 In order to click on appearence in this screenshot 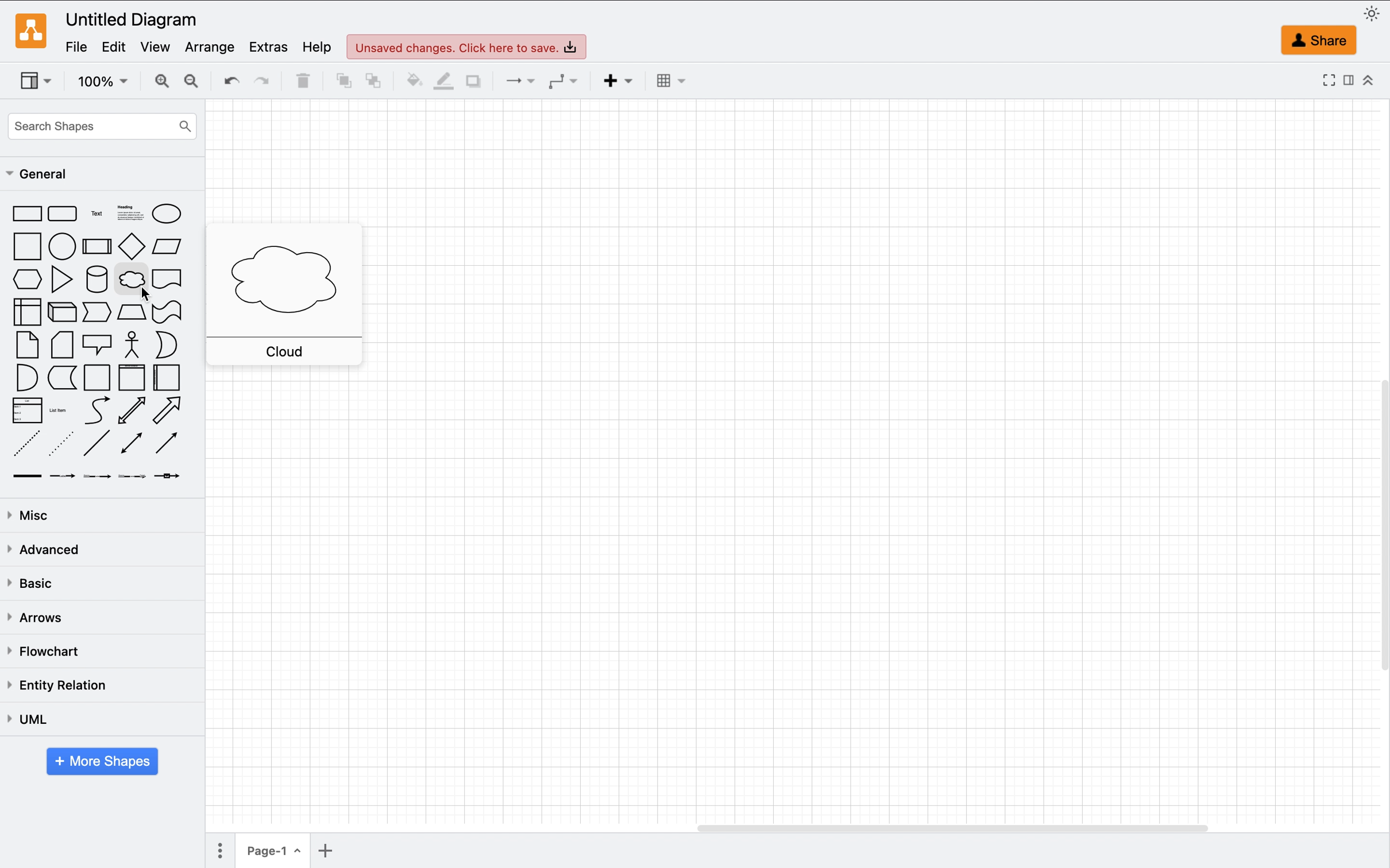, I will do `click(1374, 13)`.